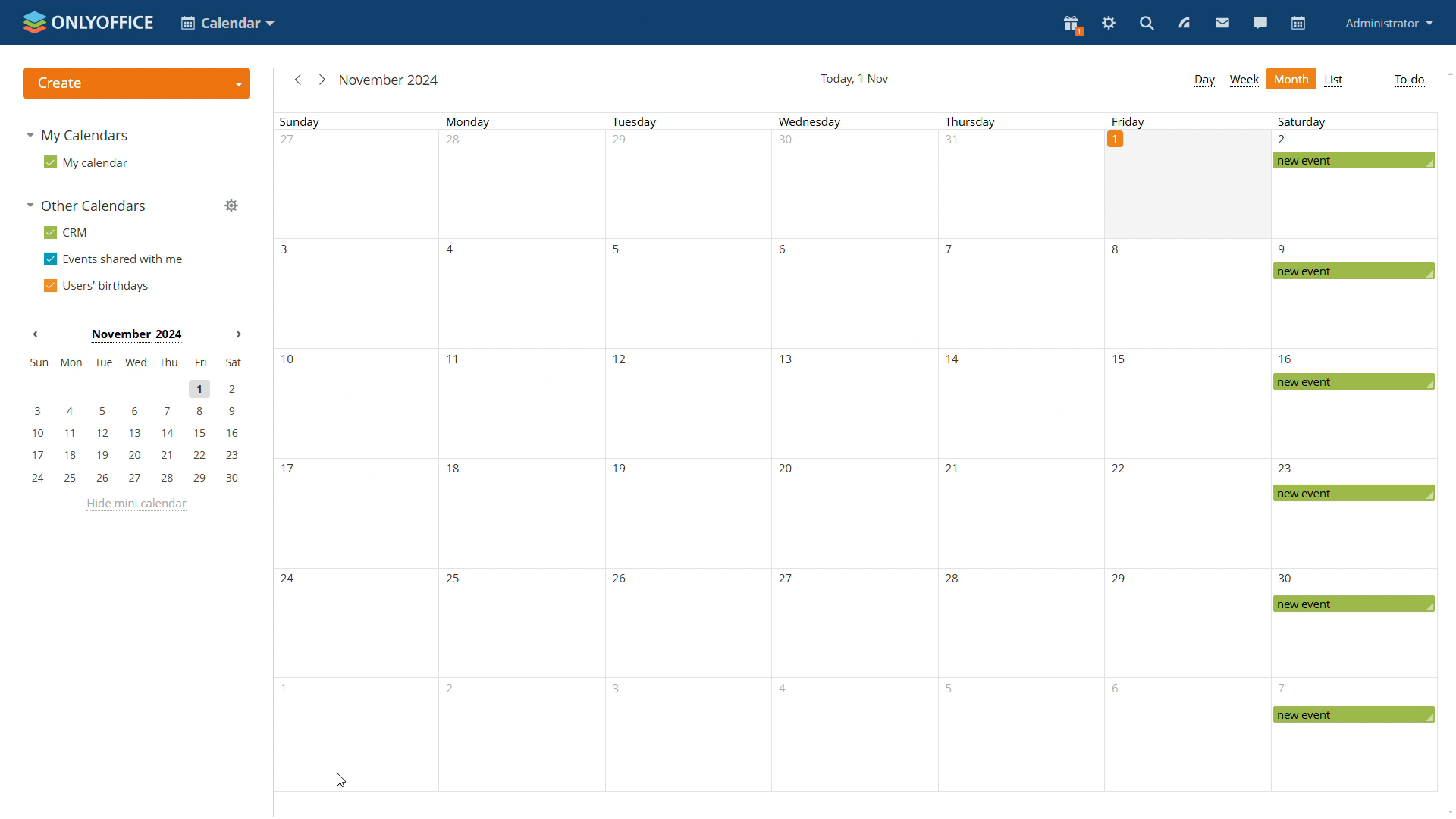 The image size is (1456, 819). What do you see at coordinates (849, 452) in the screenshot?
I see `Wednesday` at bounding box center [849, 452].